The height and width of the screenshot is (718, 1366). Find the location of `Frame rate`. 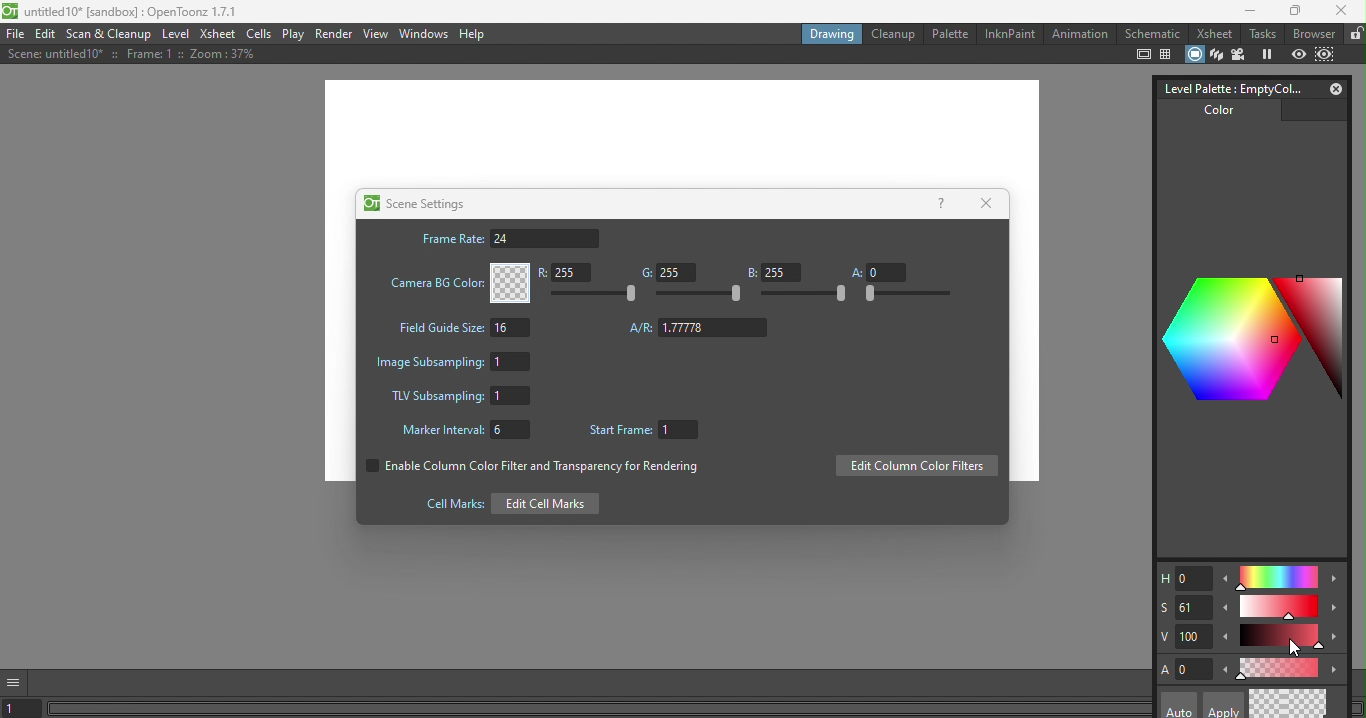

Frame rate is located at coordinates (509, 238).